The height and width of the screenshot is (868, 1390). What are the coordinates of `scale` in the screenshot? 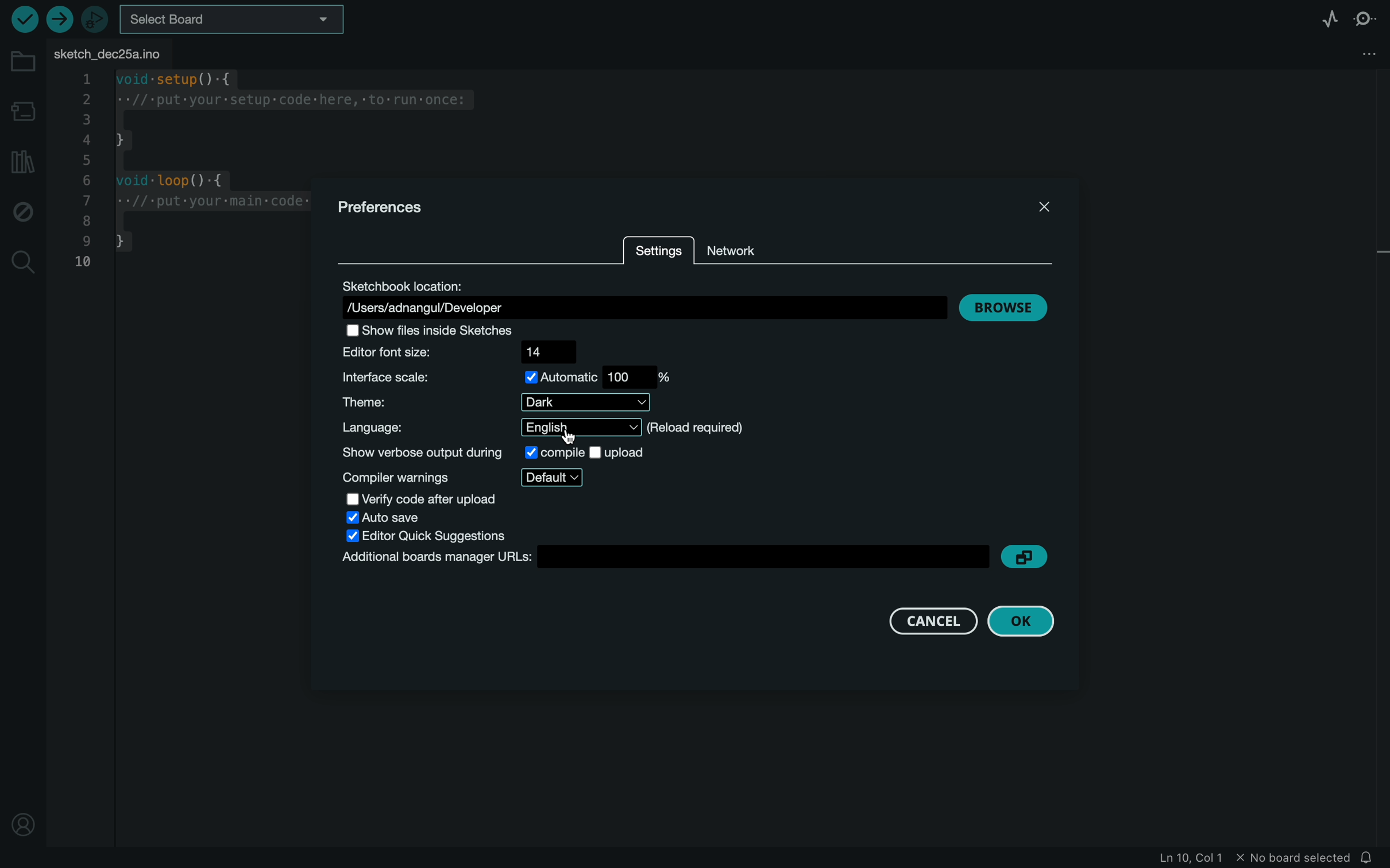 It's located at (513, 379).